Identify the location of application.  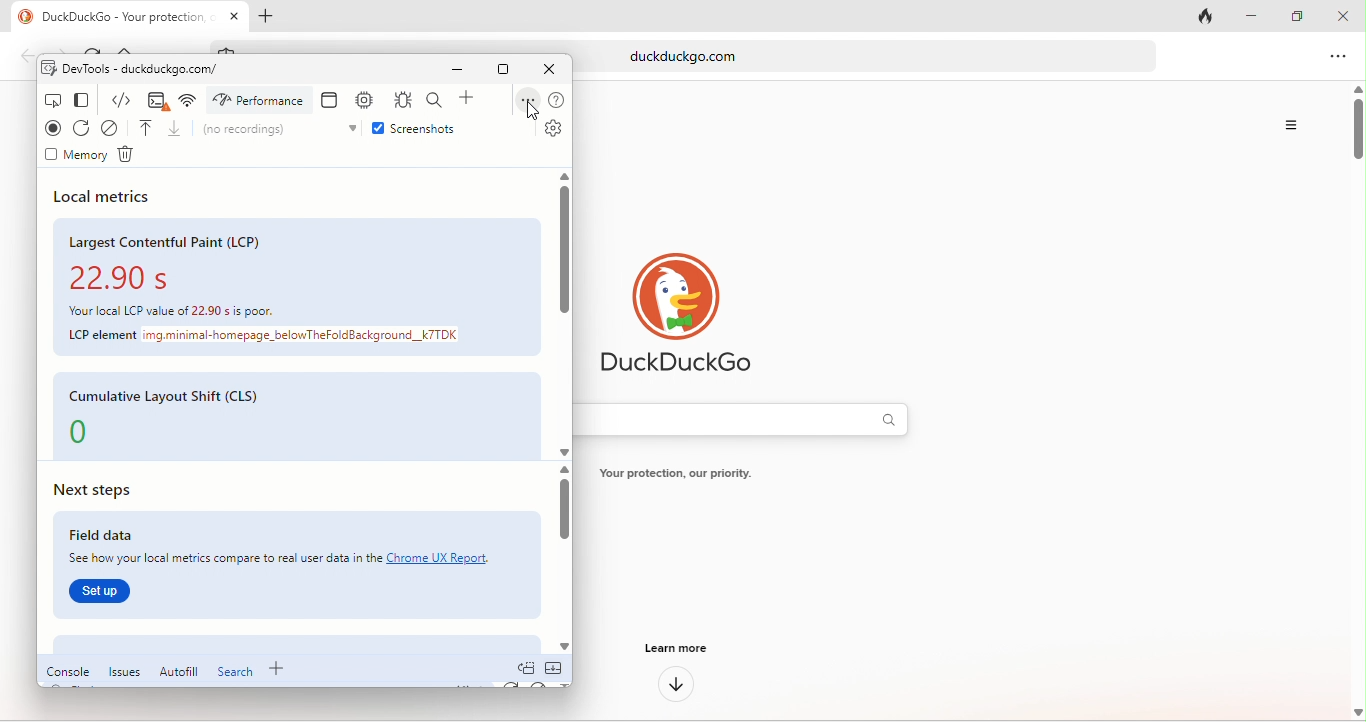
(332, 100).